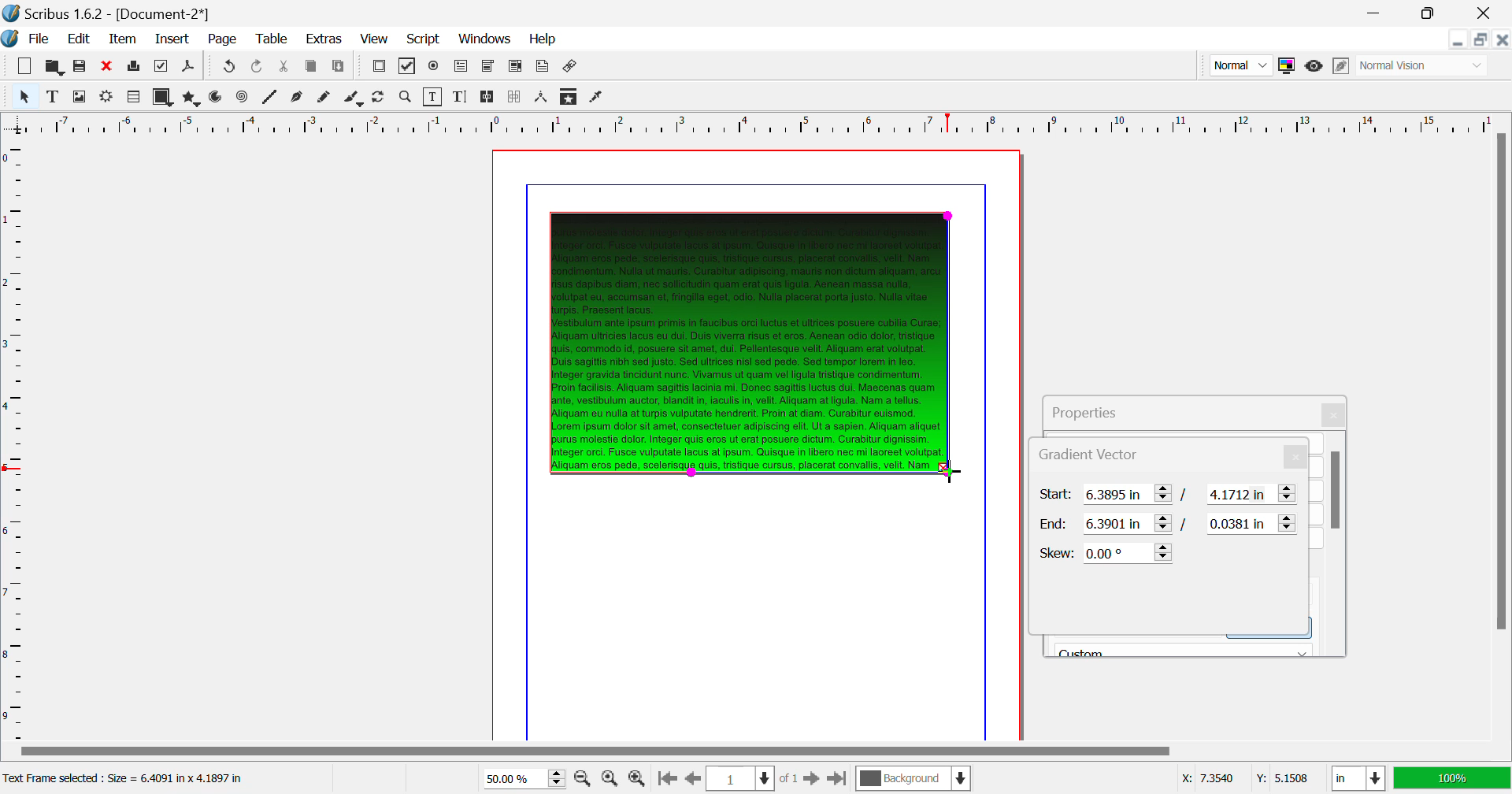  What do you see at coordinates (811, 777) in the screenshot?
I see `Next Page` at bounding box center [811, 777].